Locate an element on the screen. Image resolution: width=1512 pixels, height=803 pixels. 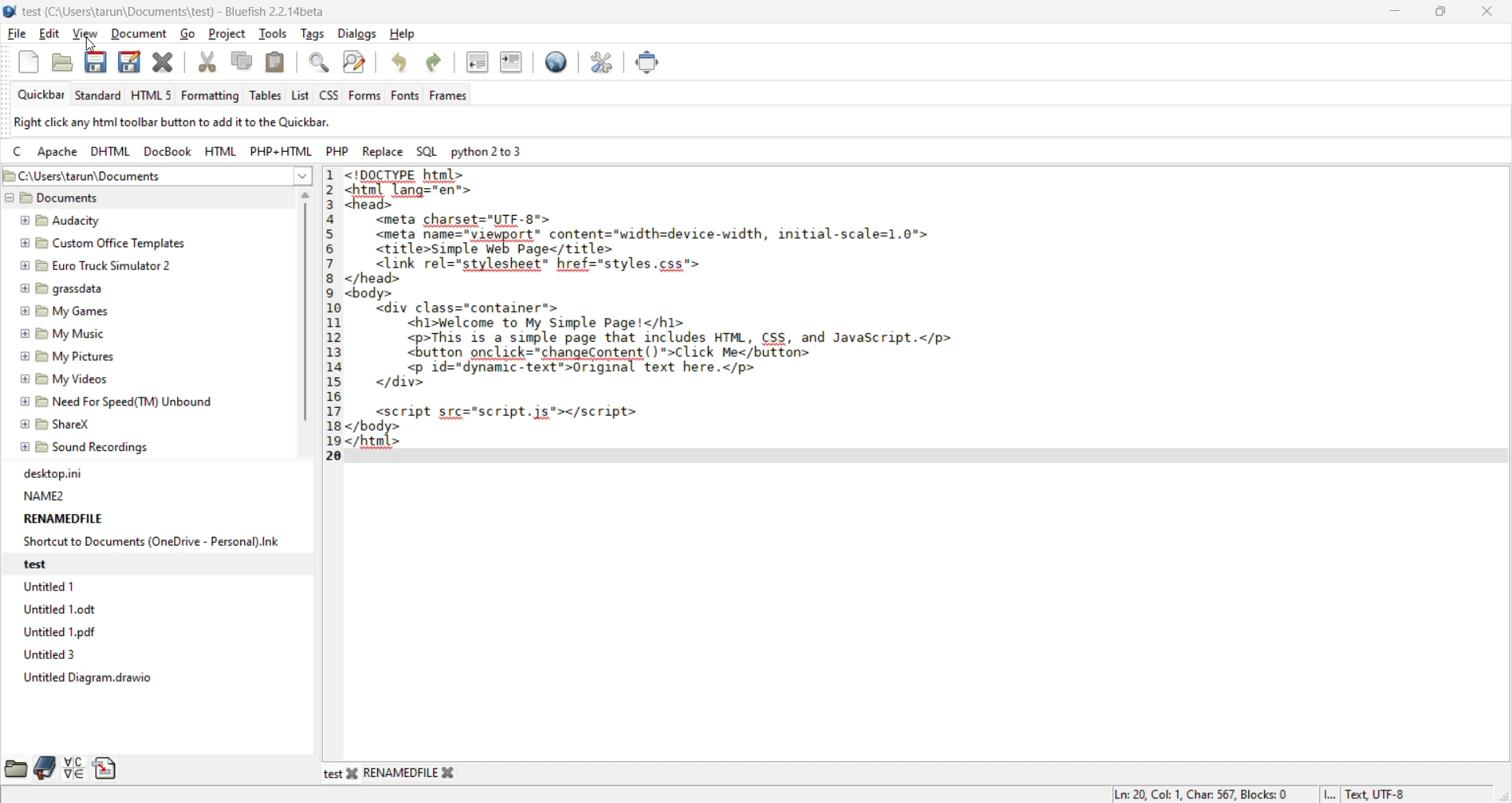
unindent is located at coordinates (480, 62).